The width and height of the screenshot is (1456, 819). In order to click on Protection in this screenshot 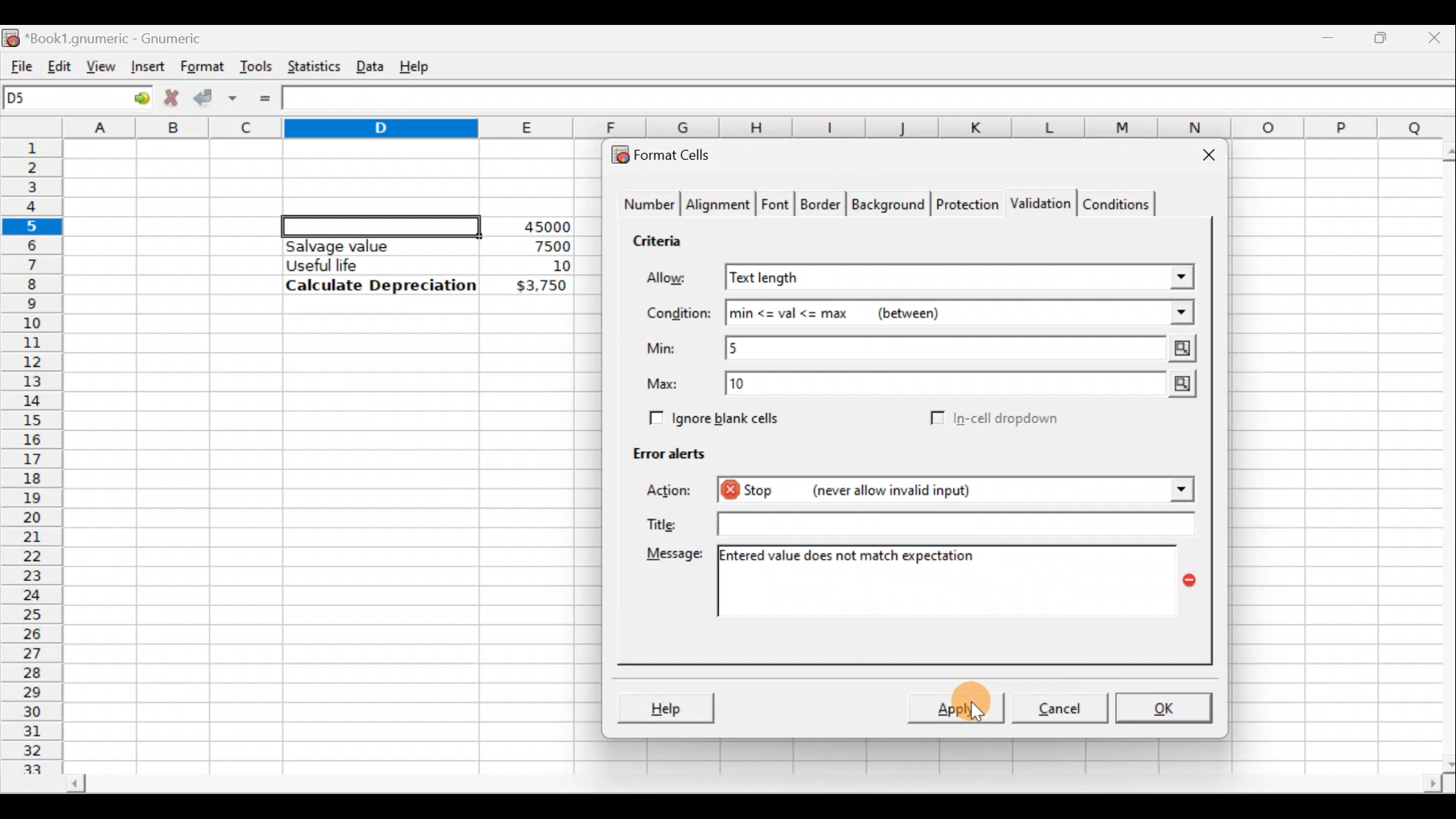, I will do `click(963, 202)`.